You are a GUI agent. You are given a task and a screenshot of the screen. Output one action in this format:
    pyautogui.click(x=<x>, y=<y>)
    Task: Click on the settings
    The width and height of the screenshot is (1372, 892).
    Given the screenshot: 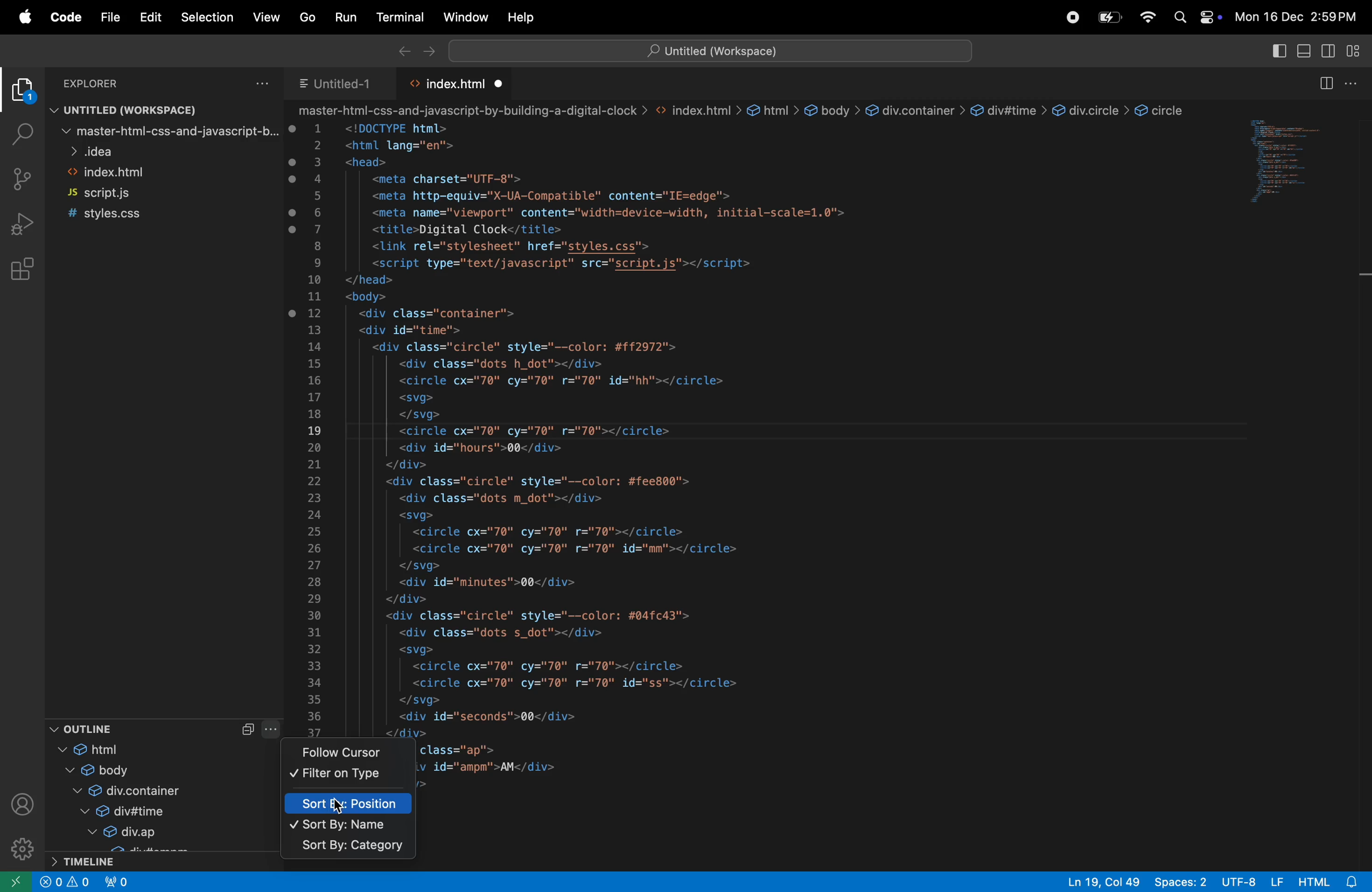 What is the action you would take?
    pyautogui.click(x=19, y=851)
    